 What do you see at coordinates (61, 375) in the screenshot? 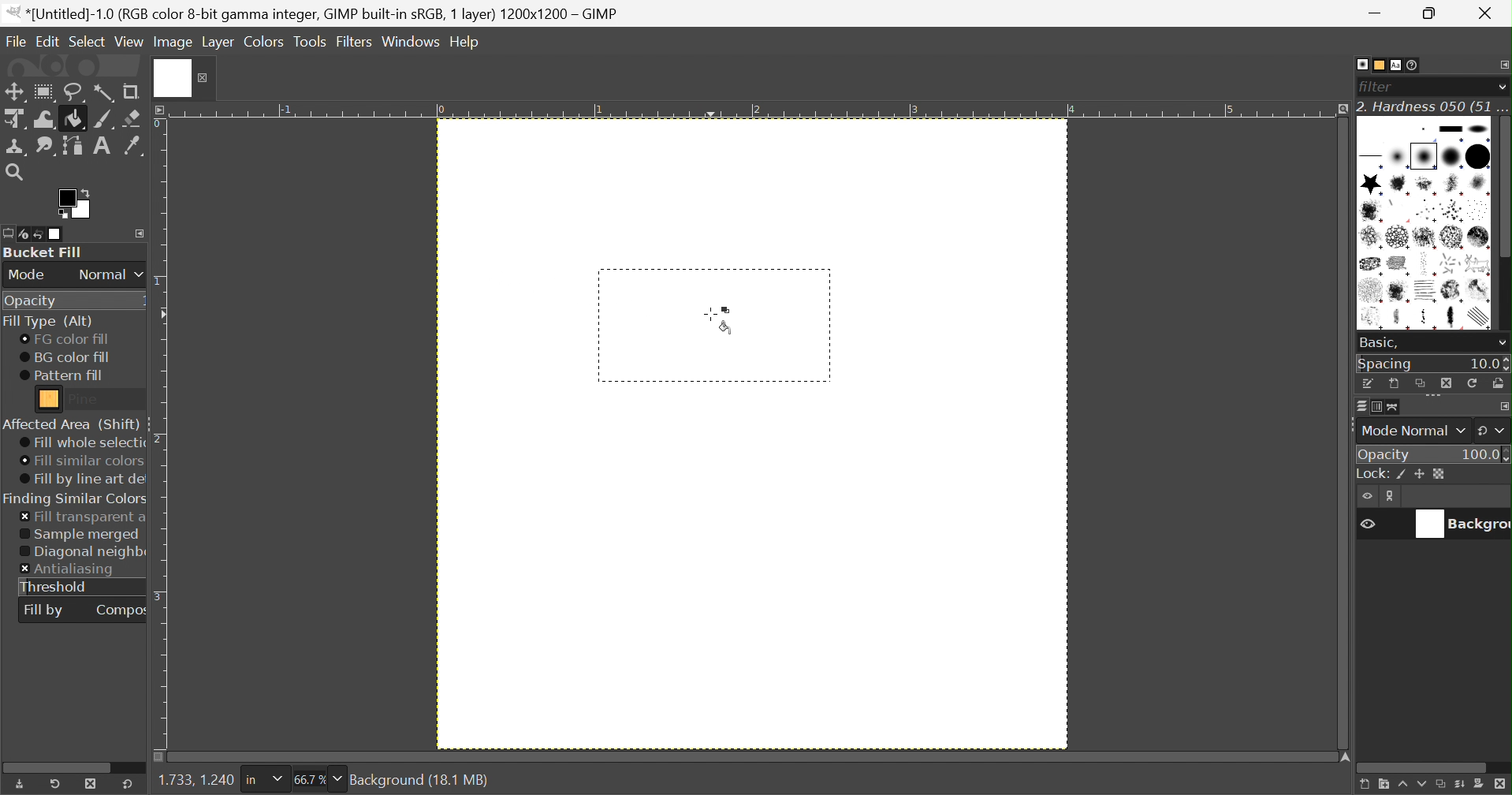
I see `Pattern fill` at bounding box center [61, 375].